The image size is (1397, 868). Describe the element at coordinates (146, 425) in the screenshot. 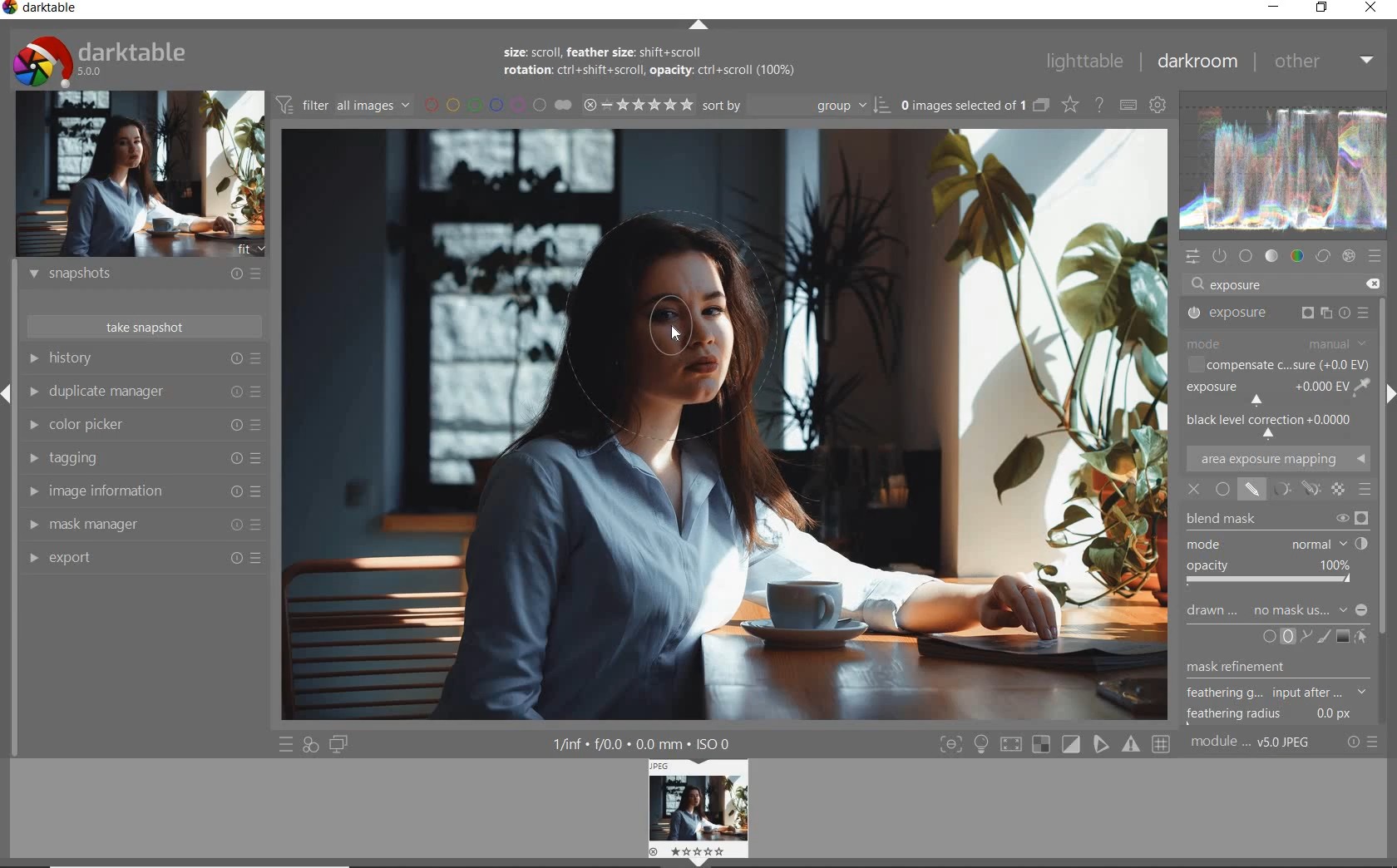

I see `color picker` at that location.